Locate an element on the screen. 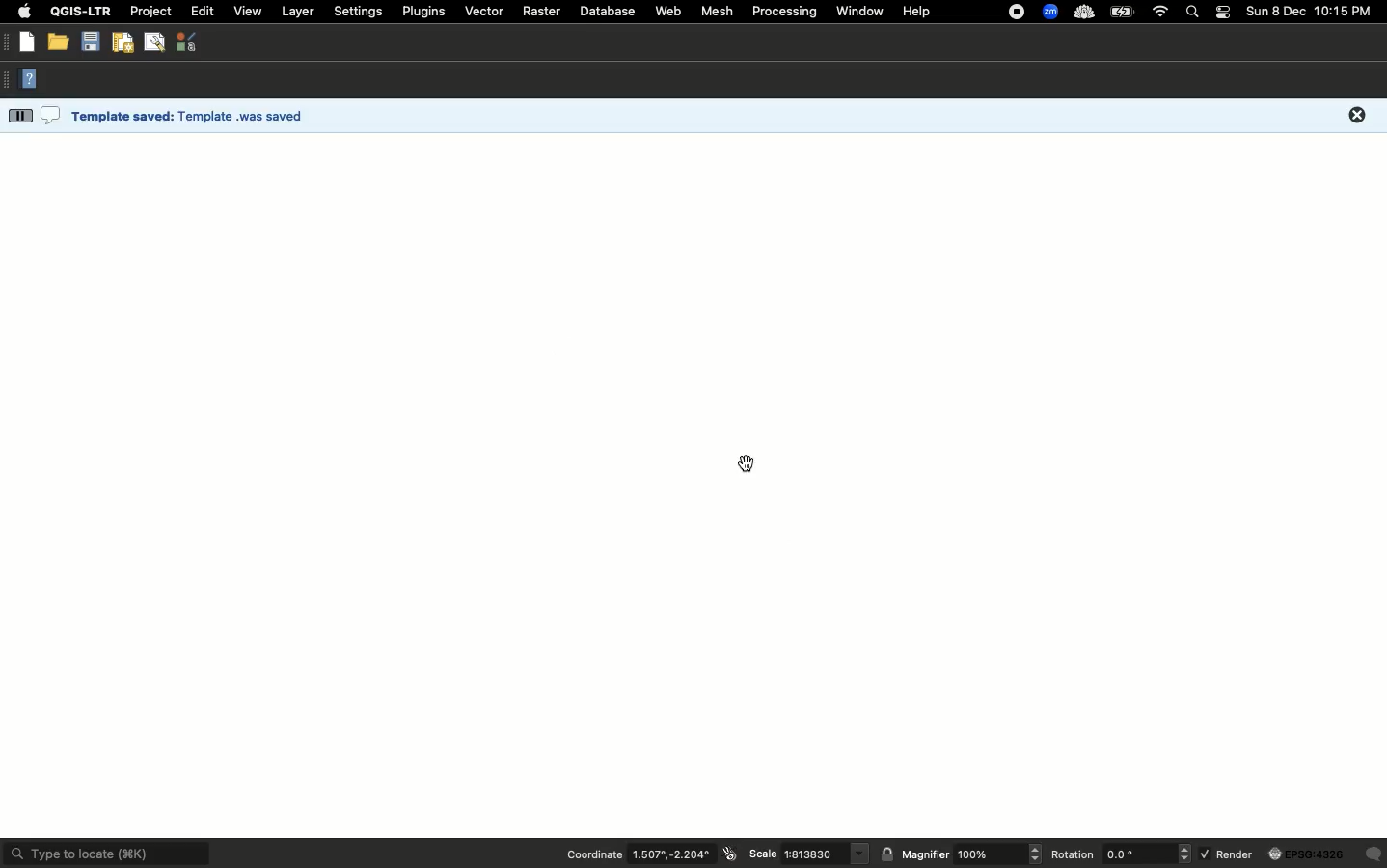 The image size is (1387, 868). Mesh is located at coordinates (718, 12).